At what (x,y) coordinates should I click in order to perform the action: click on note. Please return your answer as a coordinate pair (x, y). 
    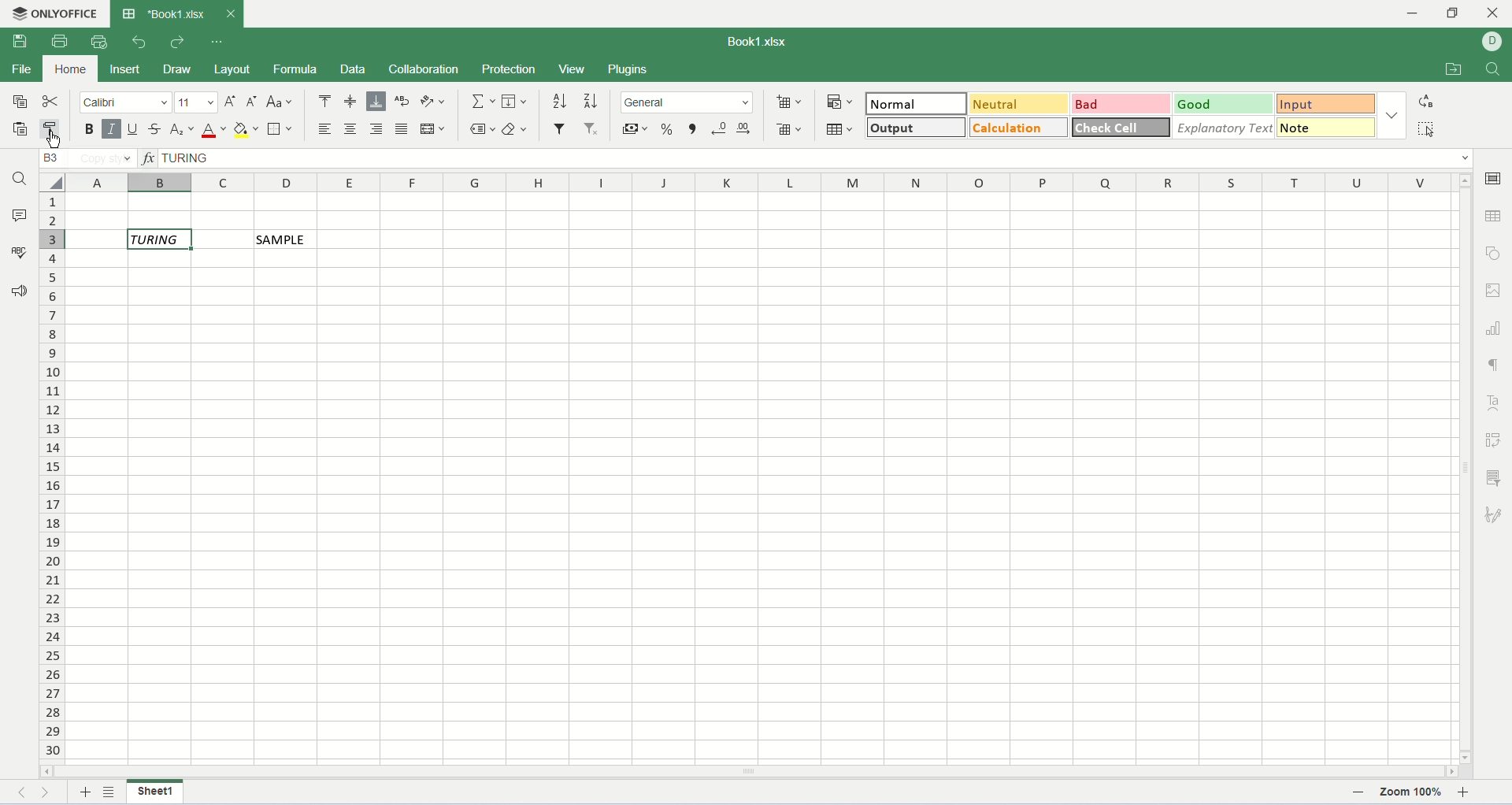
    Looking at the image, I should click on (1328, 127).